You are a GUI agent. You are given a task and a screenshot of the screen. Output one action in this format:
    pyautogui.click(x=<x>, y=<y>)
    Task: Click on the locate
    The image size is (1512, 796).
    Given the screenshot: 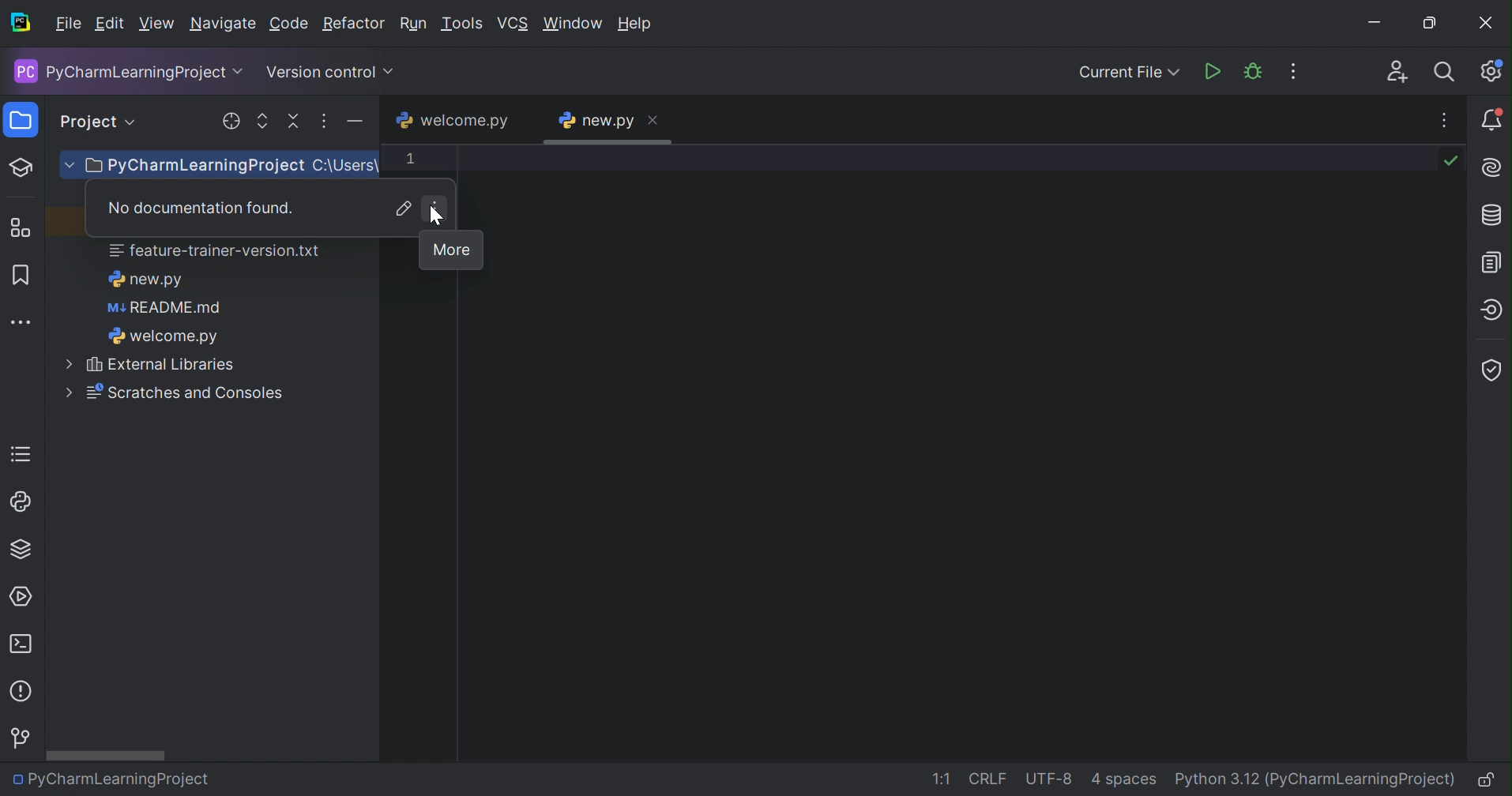 What is the action you would take?
    pyautogui.click(x=228, y=122)
    